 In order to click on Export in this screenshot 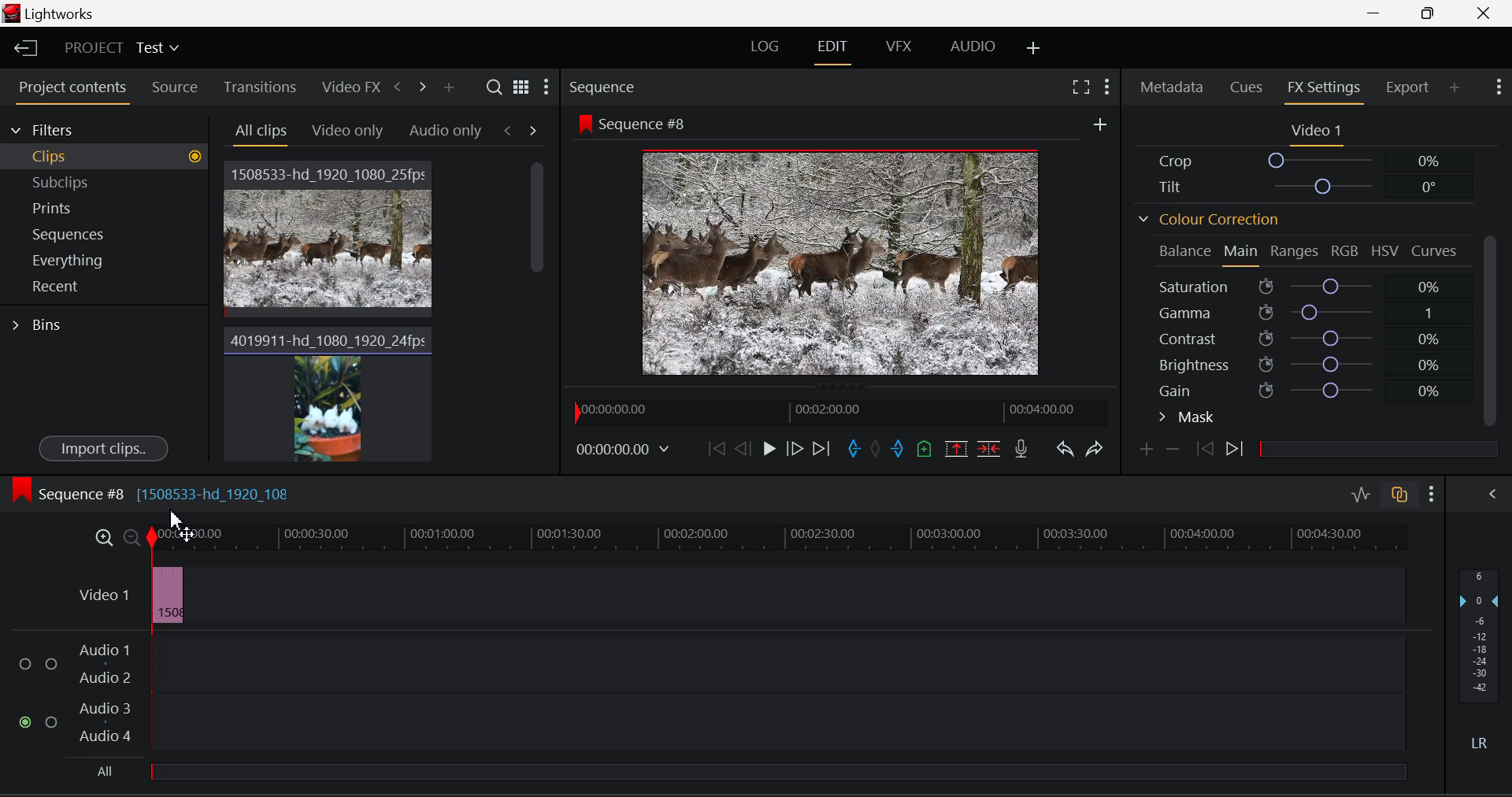, I will do `click(1408, 89)`.